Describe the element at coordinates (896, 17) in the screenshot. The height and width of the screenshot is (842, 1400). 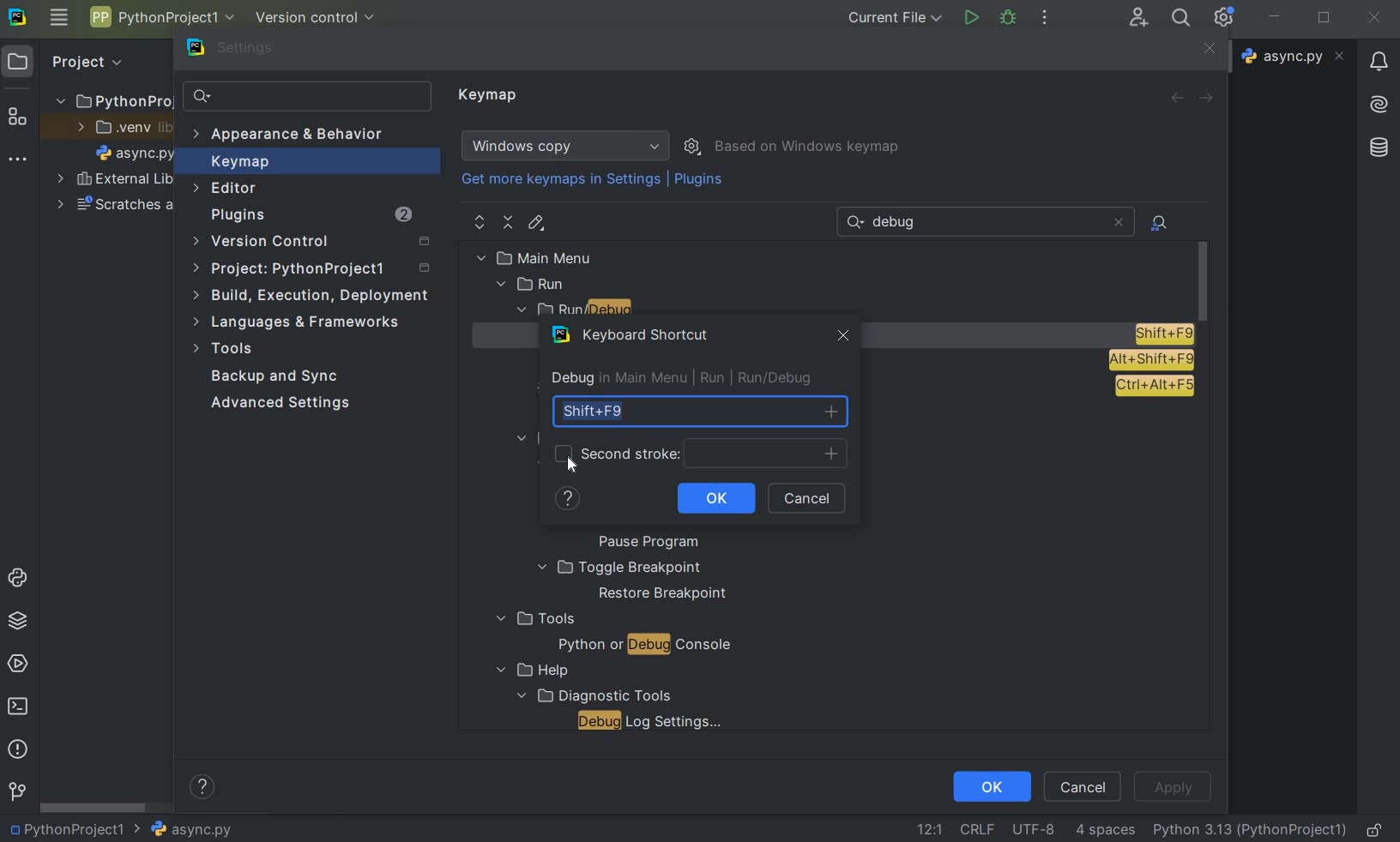
I see `current file` at that location.